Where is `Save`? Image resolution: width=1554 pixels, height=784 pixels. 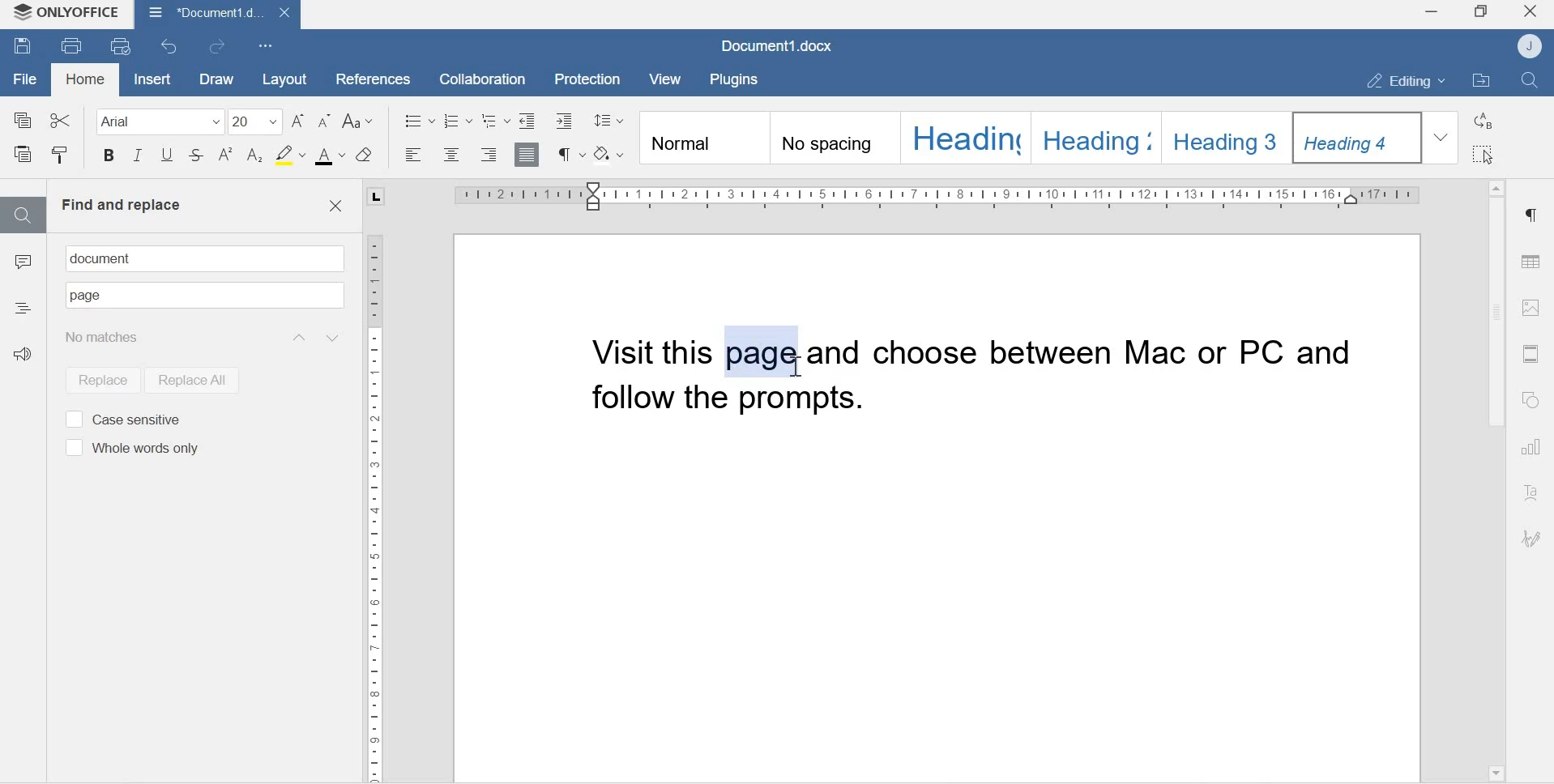
Save is located at coordinates (23, 48).